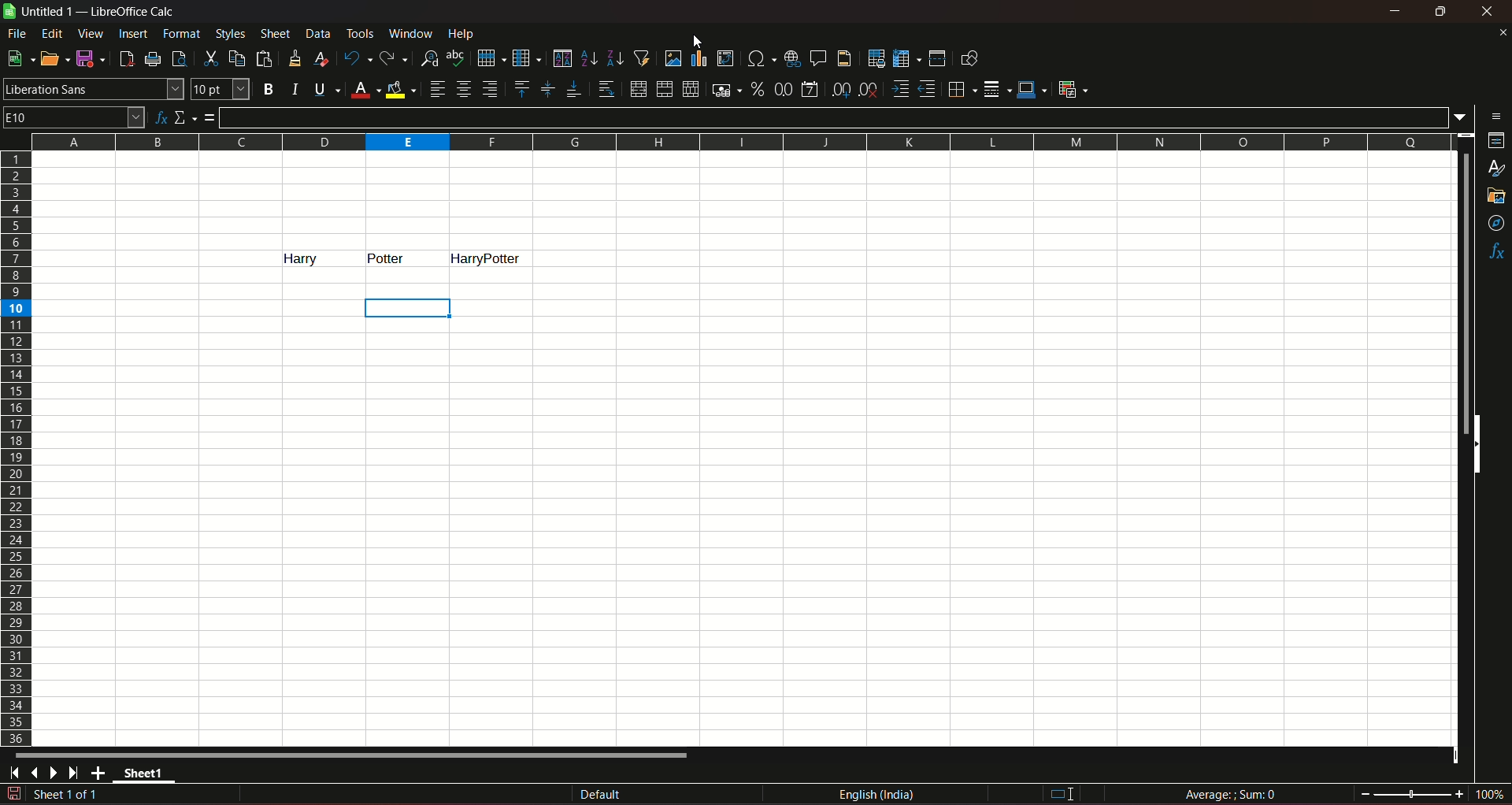 This screenshot has height=805, width=1512. What do you see at coordinates (51, 58) in the screenshot?
I see `open` at bounding box center [51, 58].